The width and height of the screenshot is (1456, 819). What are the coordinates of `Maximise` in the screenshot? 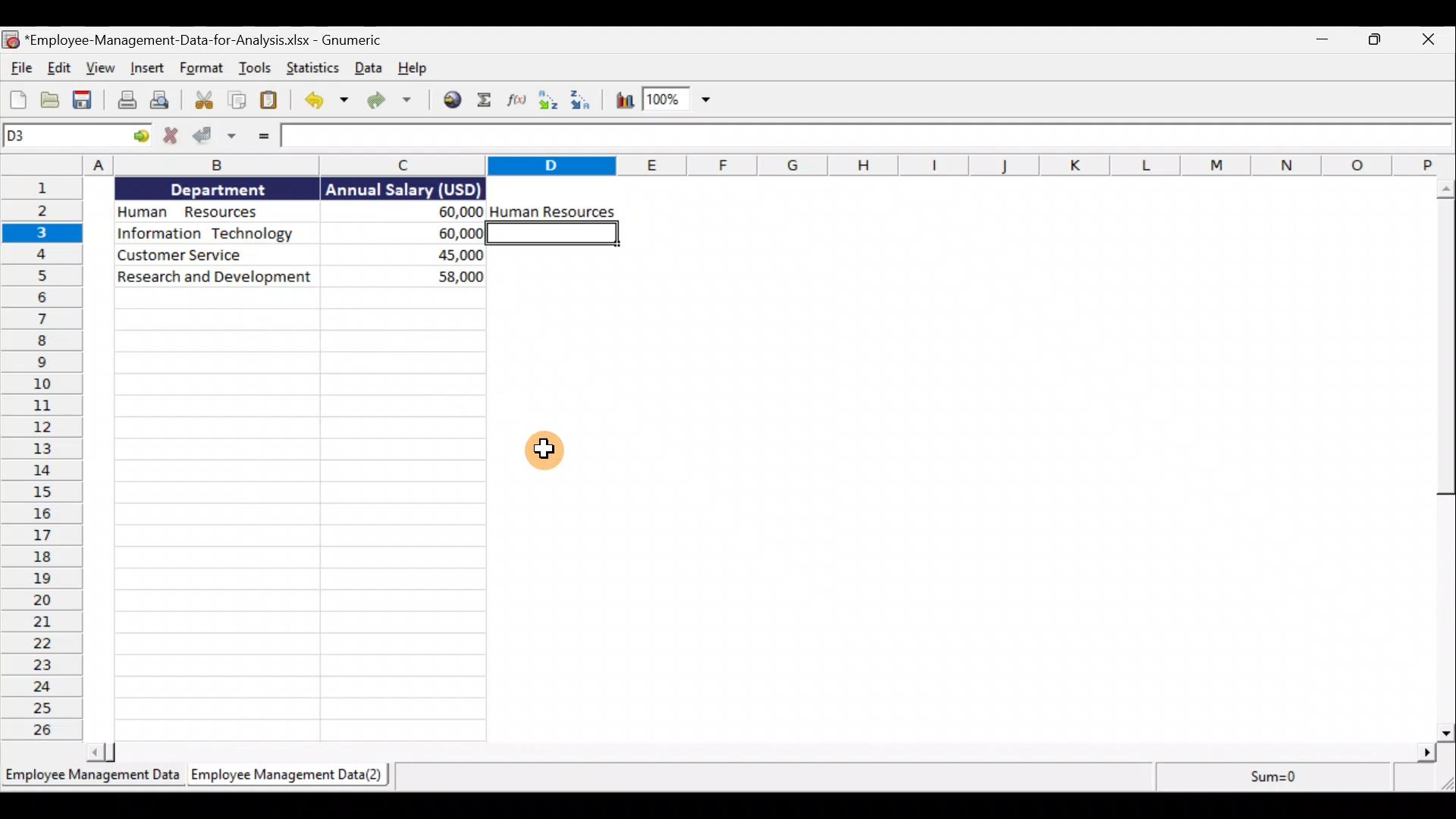 It's located at (1369, 45).